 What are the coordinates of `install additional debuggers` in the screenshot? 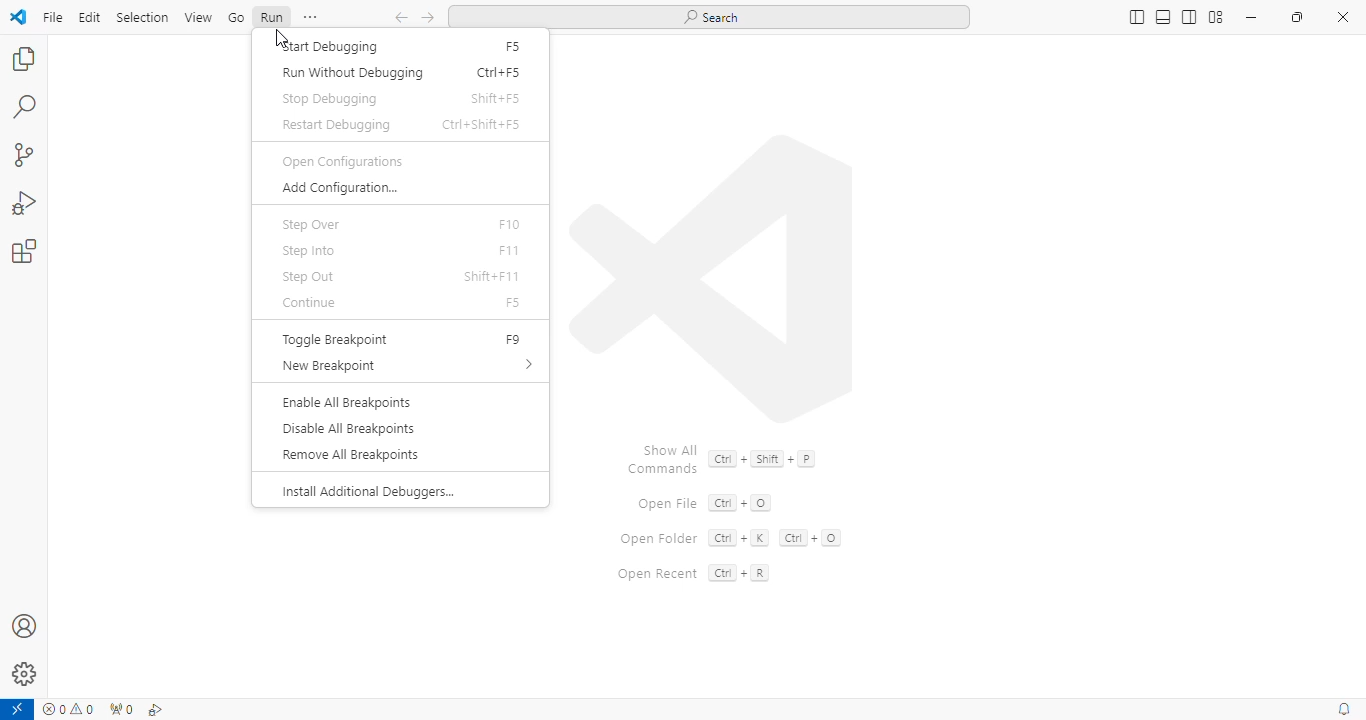 It's located at (367, 493).